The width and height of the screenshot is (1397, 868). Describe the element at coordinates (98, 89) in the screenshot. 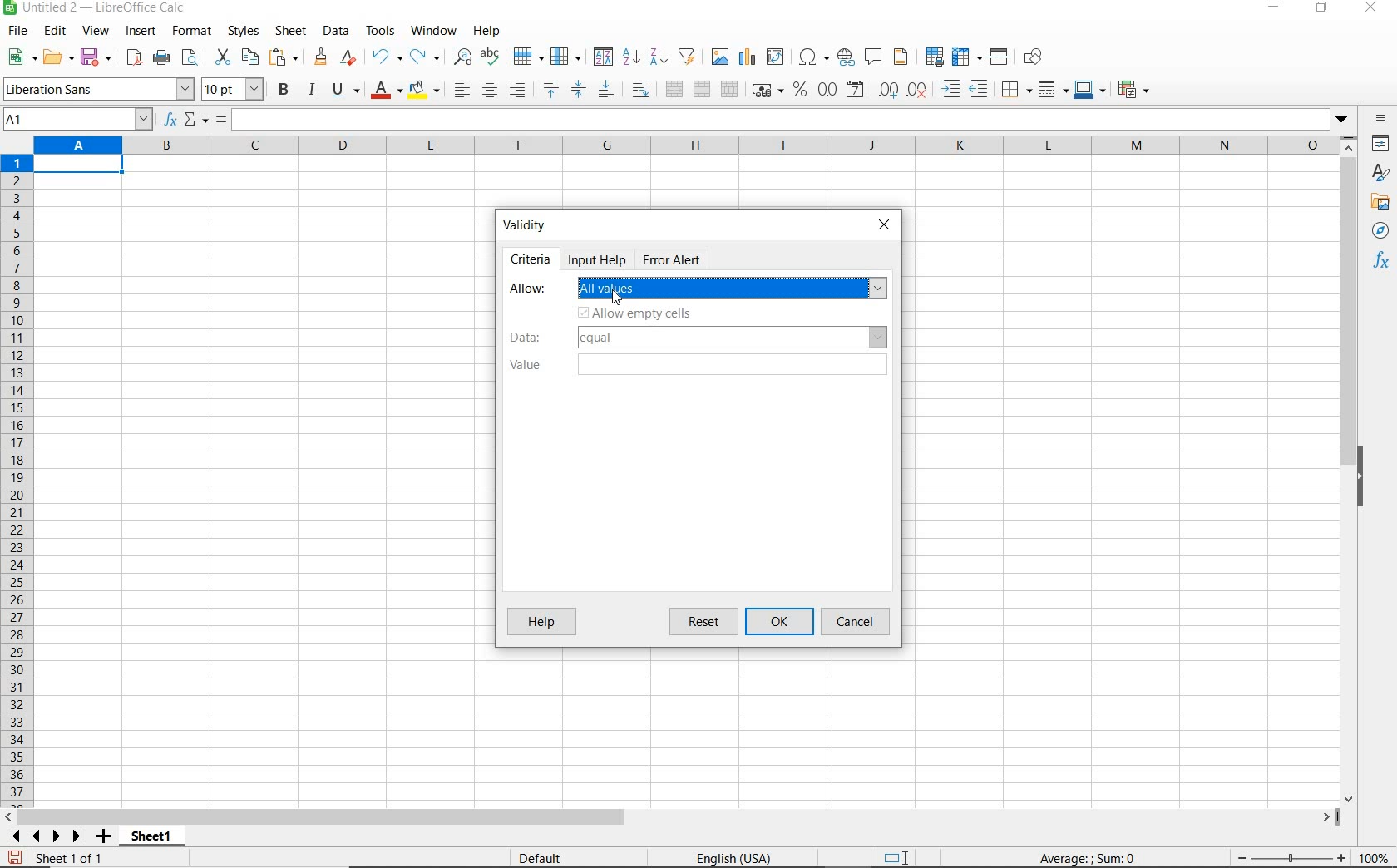

I see `font name` at that location.